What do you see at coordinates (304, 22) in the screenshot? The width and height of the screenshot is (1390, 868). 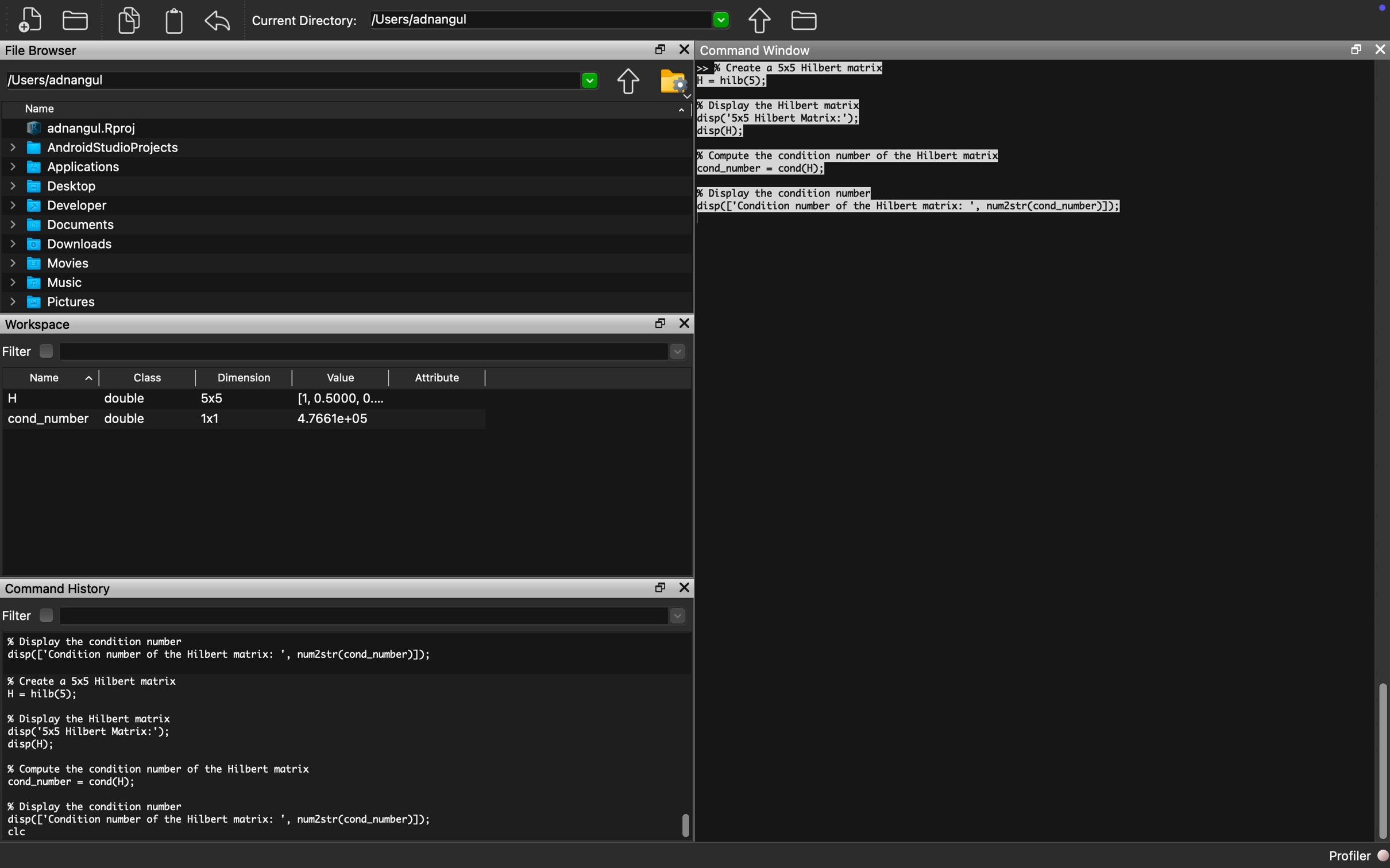 I see `Current Directory:` at bounding box center [304, 22].